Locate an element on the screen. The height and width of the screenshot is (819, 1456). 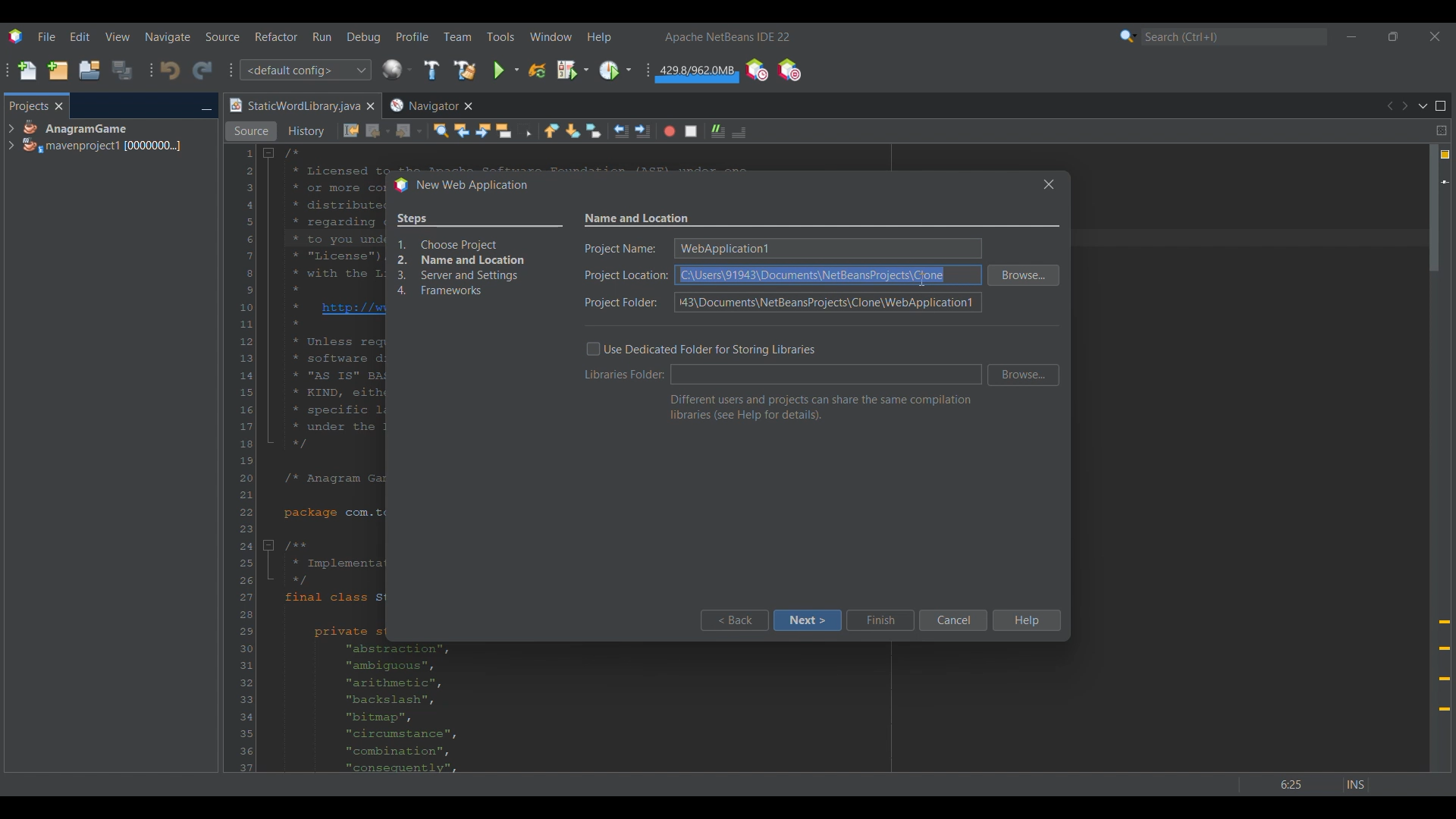
Close is located at coordinates (370, 106).